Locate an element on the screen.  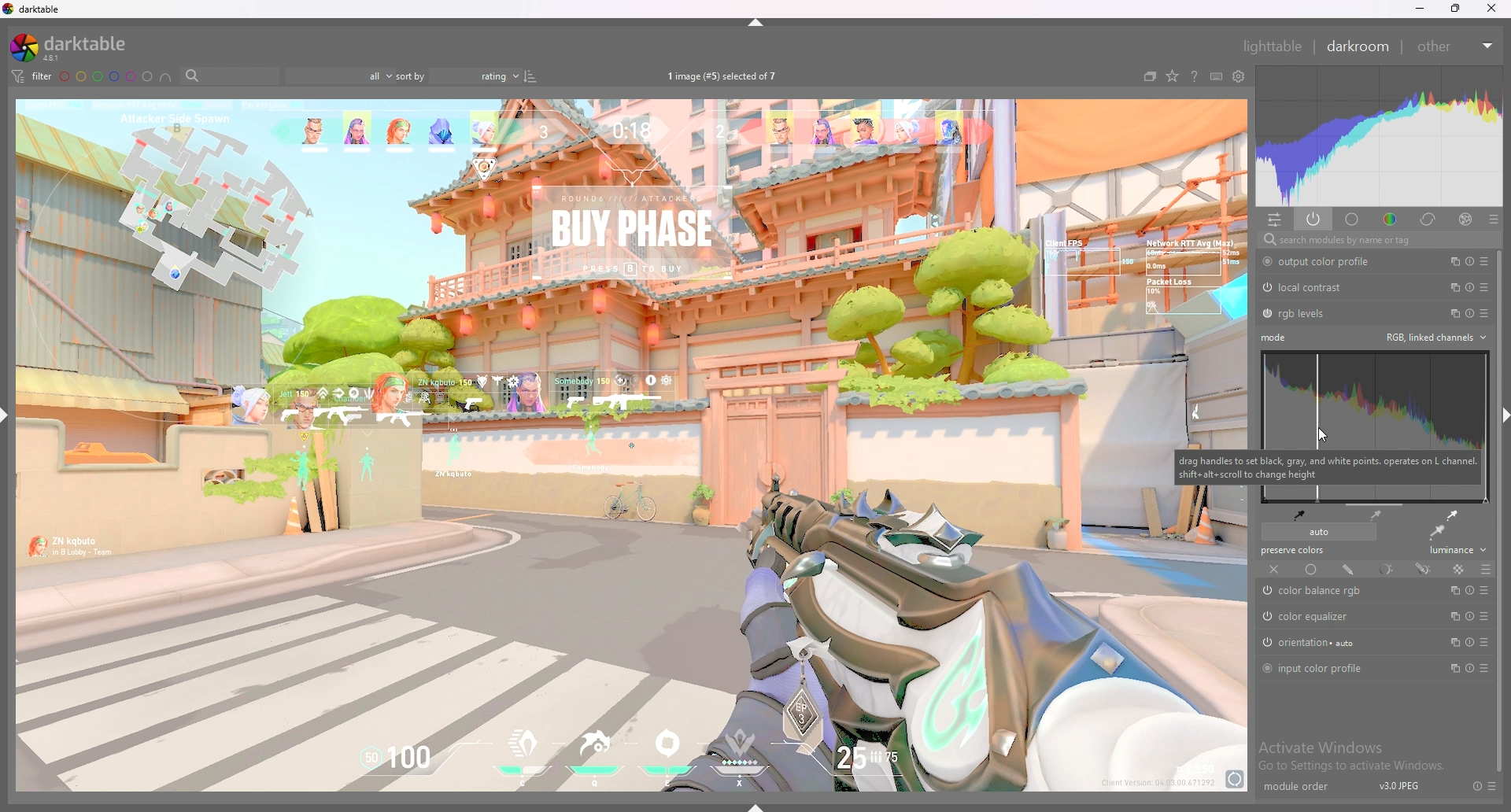
correct is located at coordinates (1428, 220).